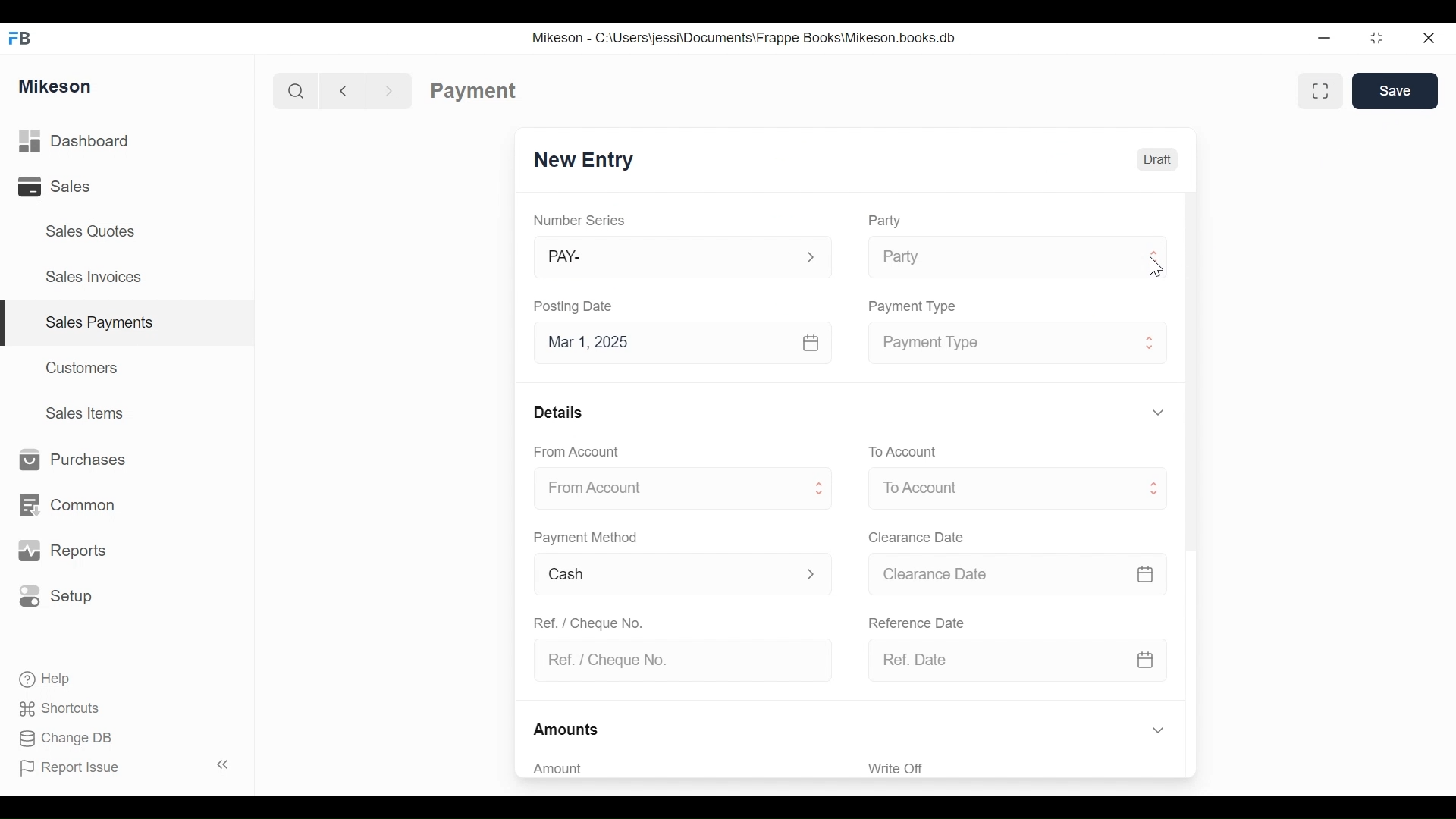 The image size is (1456, 819). Describe the element at coordinates (682, 256) in the screenshot. I see `PAY-` at that location.